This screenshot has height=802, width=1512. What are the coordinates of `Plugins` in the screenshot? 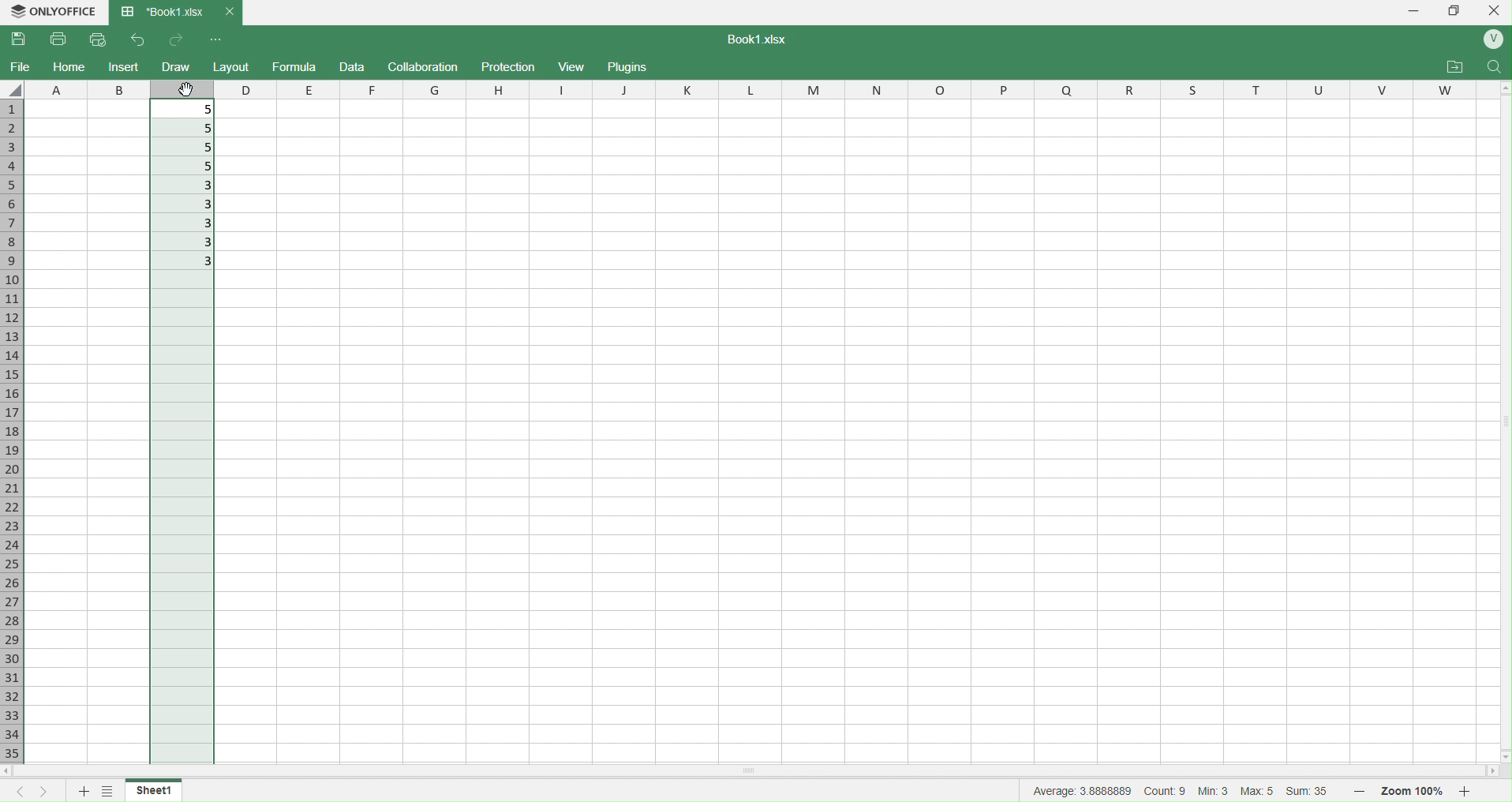 It's located at (627, 66).